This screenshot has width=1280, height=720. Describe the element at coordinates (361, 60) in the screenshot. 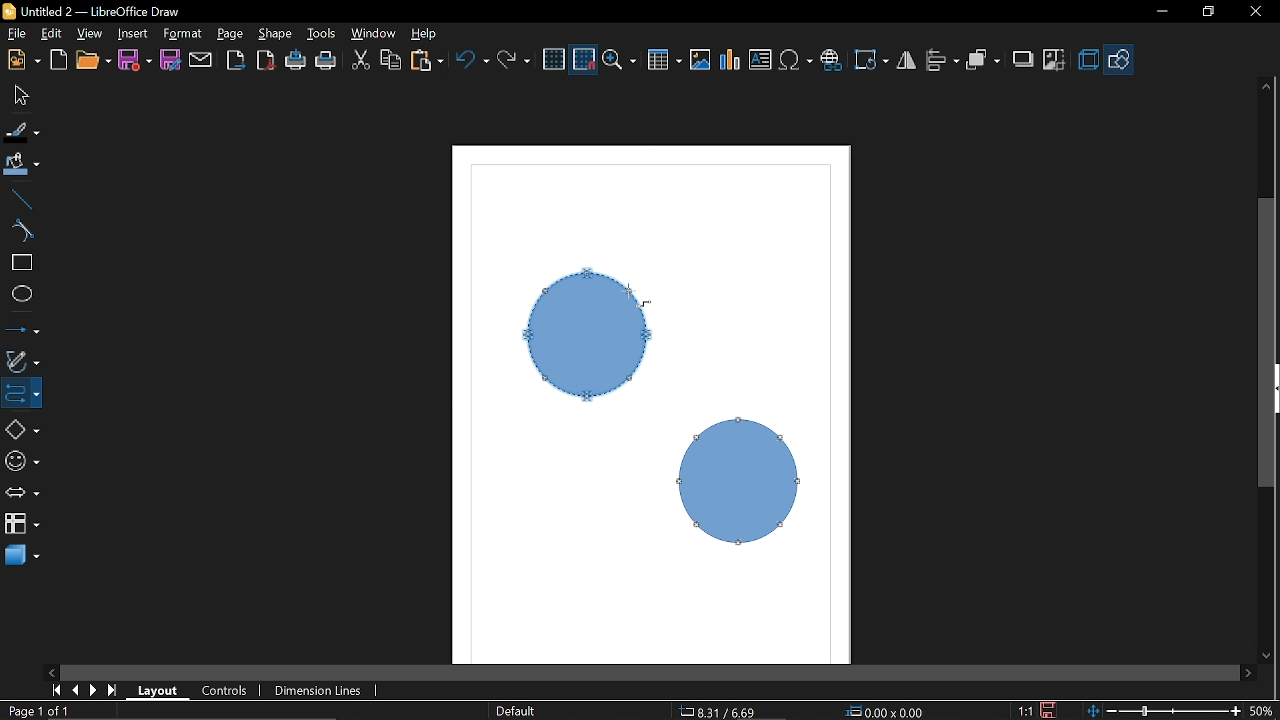

I see `CUt ` at that location.